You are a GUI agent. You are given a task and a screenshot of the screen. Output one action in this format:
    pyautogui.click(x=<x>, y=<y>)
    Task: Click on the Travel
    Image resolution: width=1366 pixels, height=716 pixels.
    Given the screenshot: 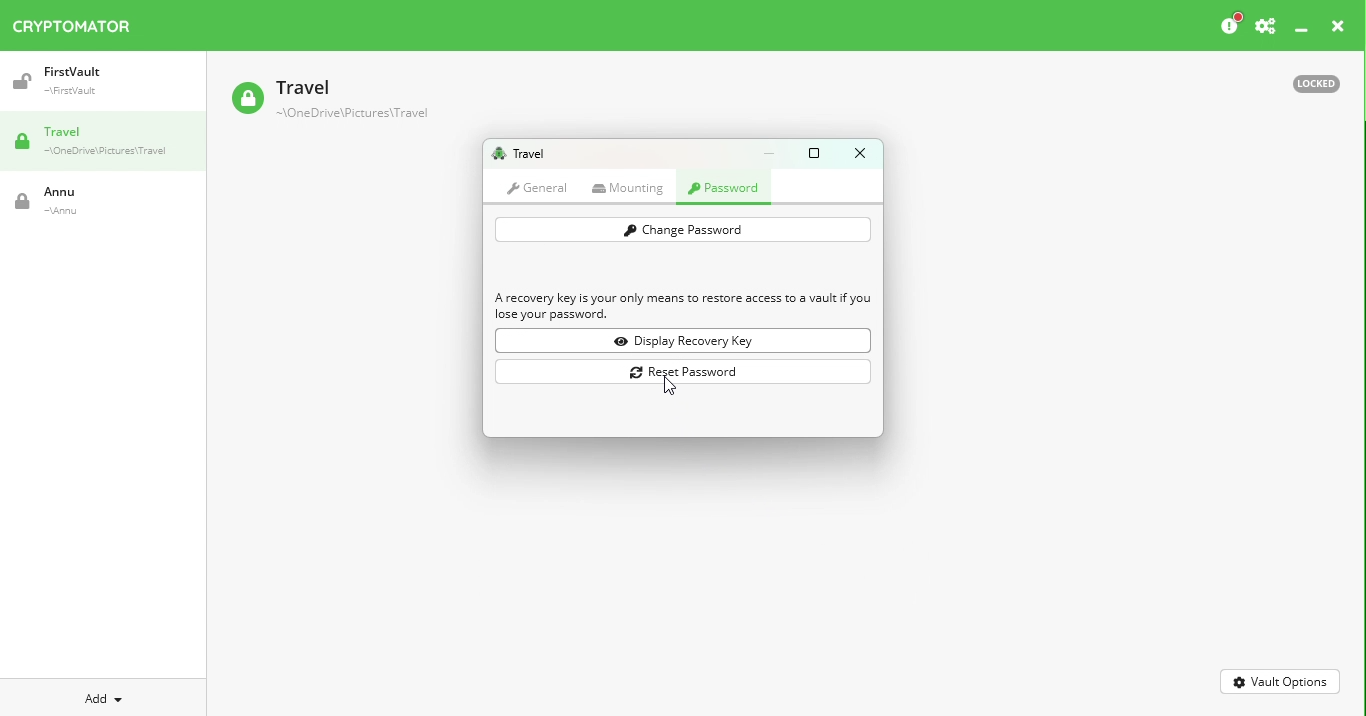 What is the action you would take?
    pyautogui.click(x=110, y=143)
    